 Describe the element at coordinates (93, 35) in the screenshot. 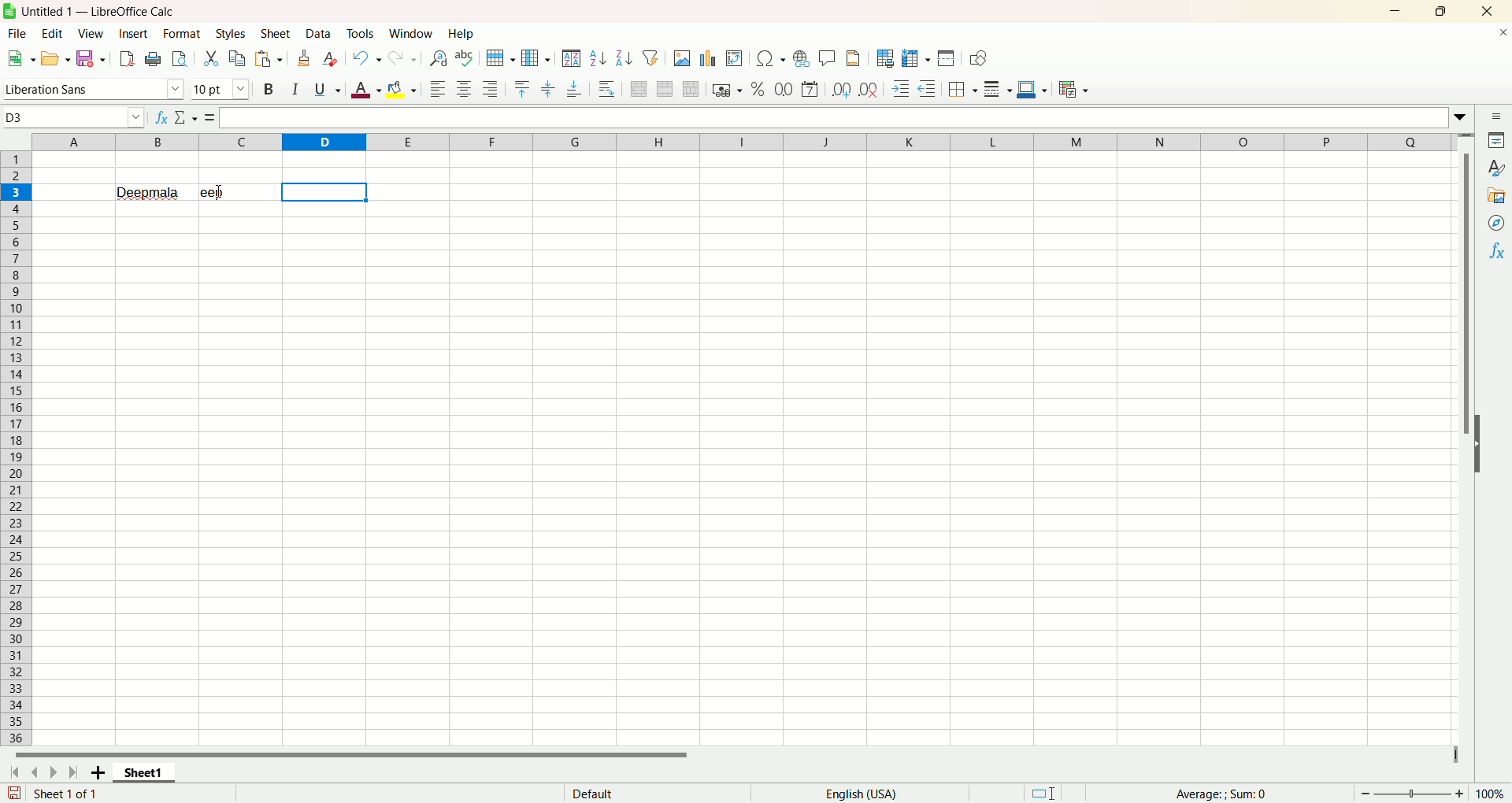

I see `View` at that location.